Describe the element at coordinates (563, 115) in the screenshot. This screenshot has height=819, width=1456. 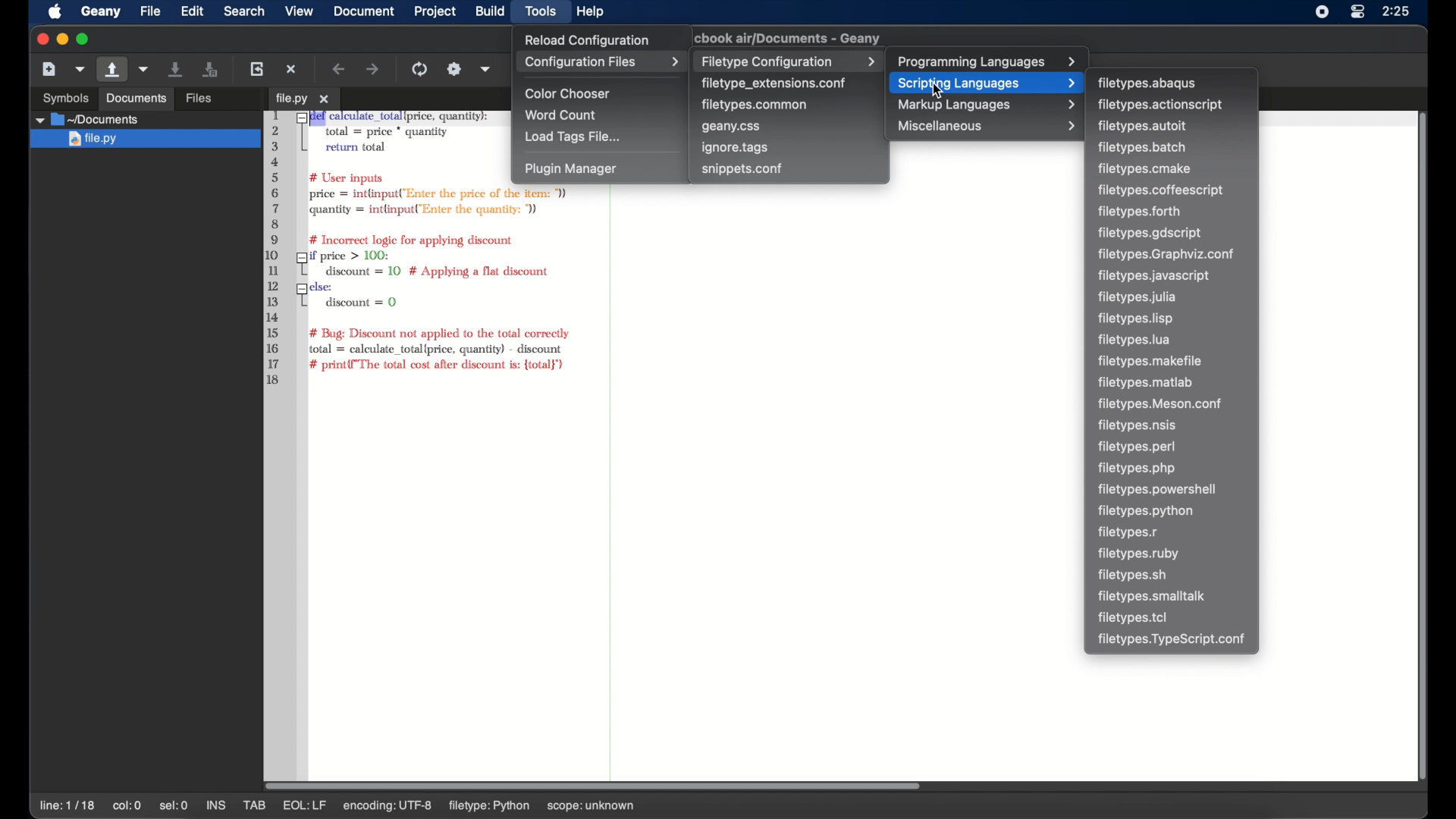
I see `word count` at that location.